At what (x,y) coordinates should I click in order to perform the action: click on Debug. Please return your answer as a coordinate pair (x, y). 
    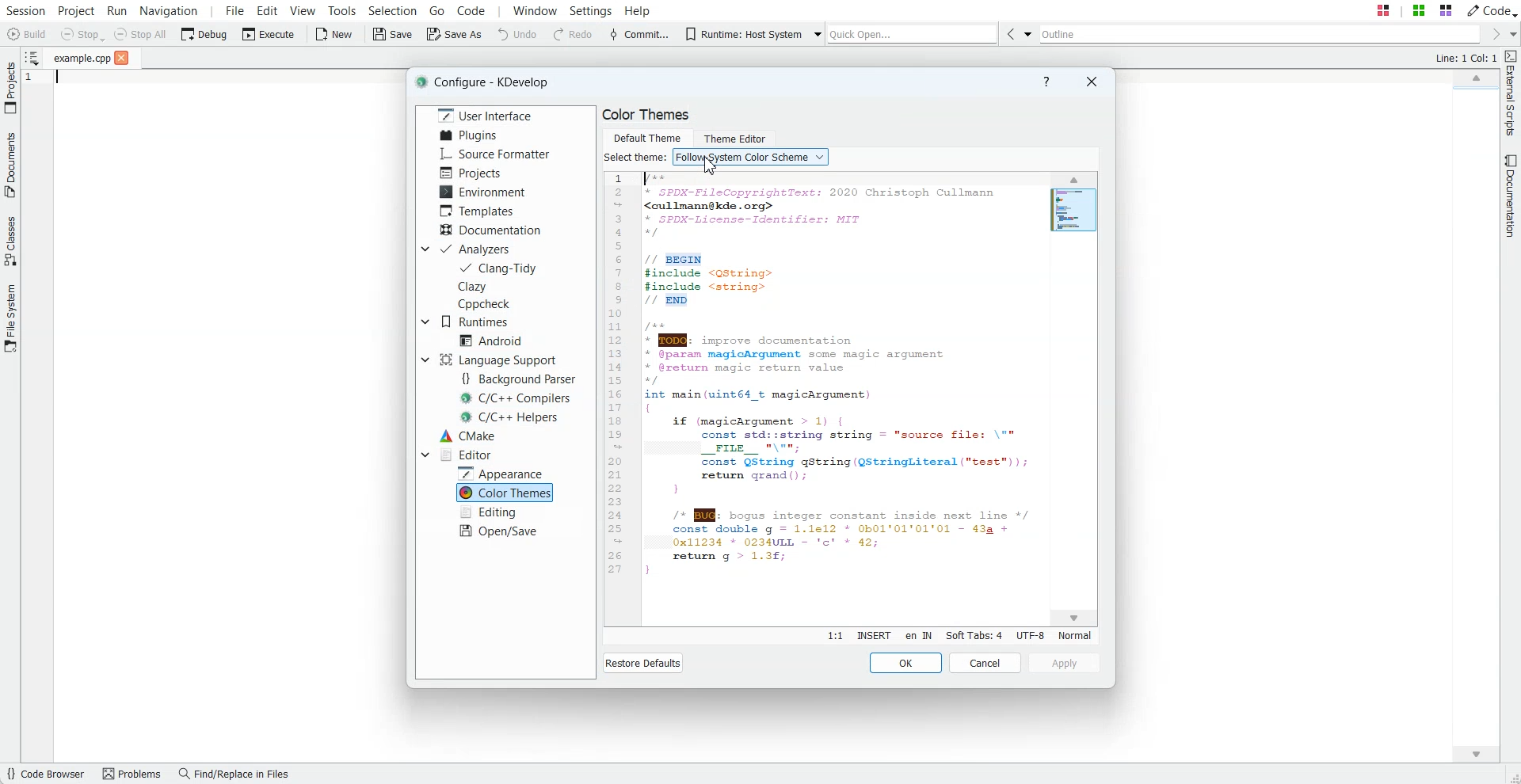
    Looking at the image, I should click on (204, 33).